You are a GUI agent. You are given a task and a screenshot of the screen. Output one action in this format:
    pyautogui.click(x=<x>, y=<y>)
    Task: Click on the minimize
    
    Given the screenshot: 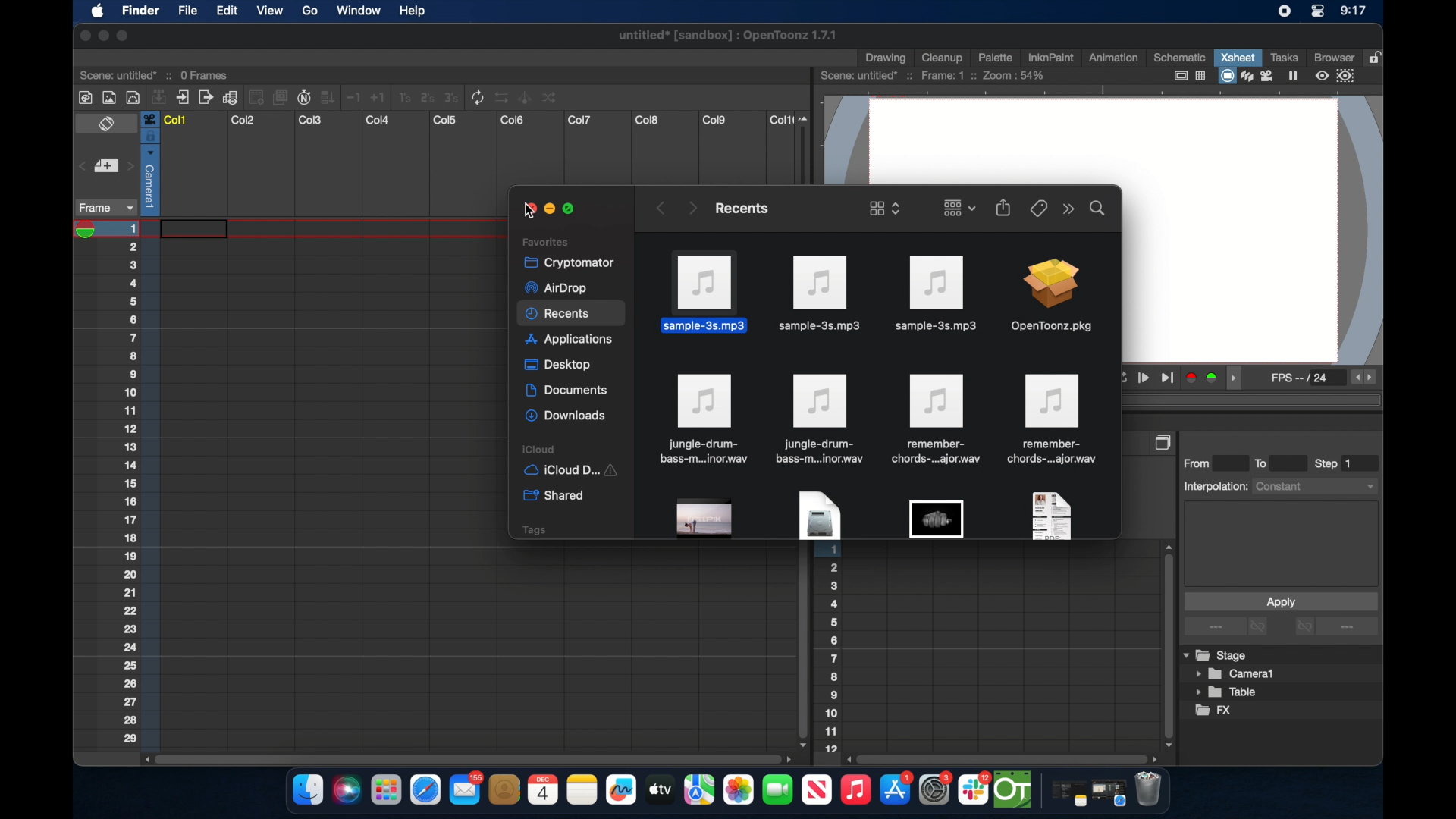 What is the action you would take?
    pyautogui.click(x=102, y=36)
    